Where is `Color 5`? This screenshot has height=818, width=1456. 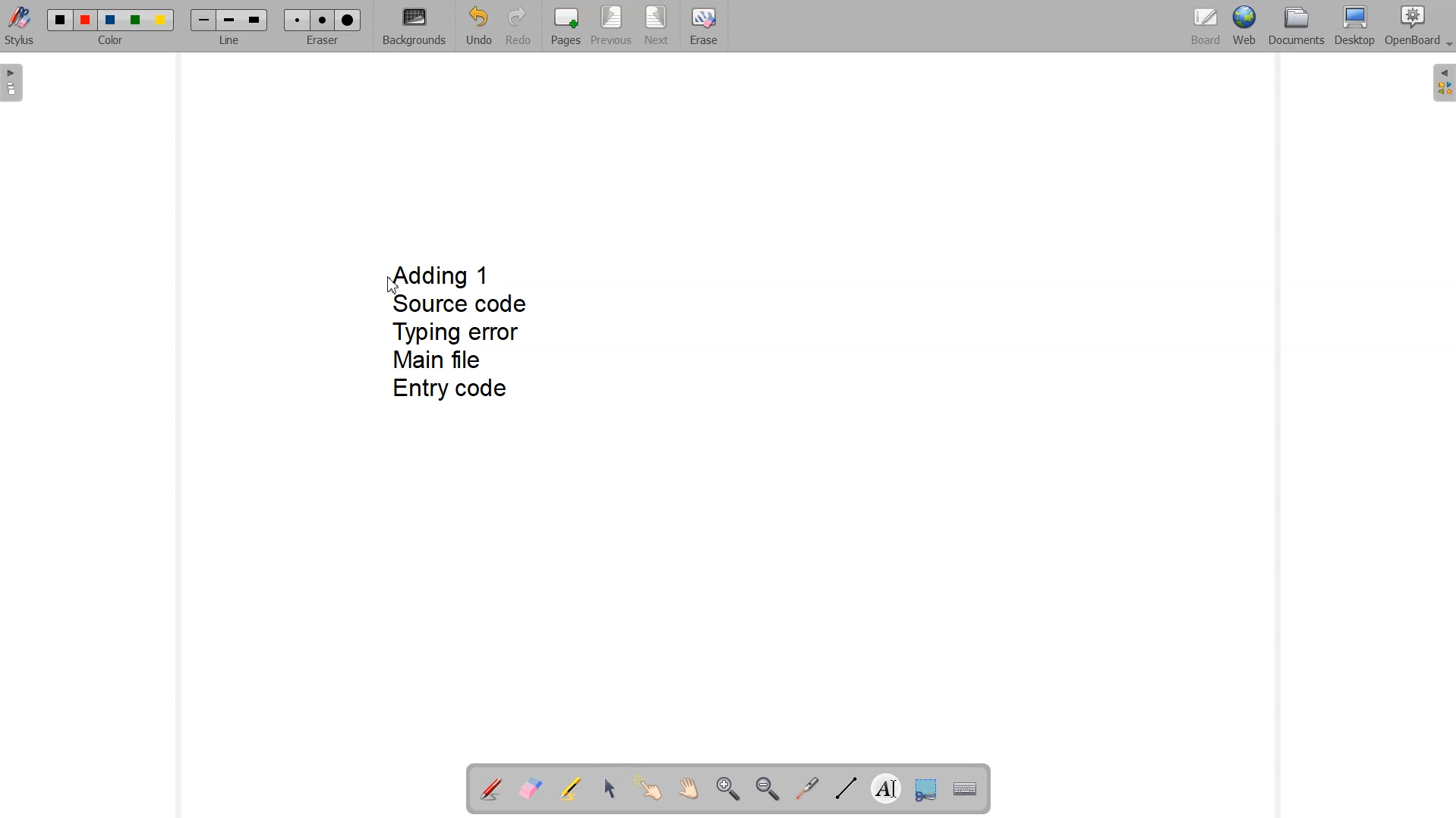
Color 5 is located at coordinates (162, 20).